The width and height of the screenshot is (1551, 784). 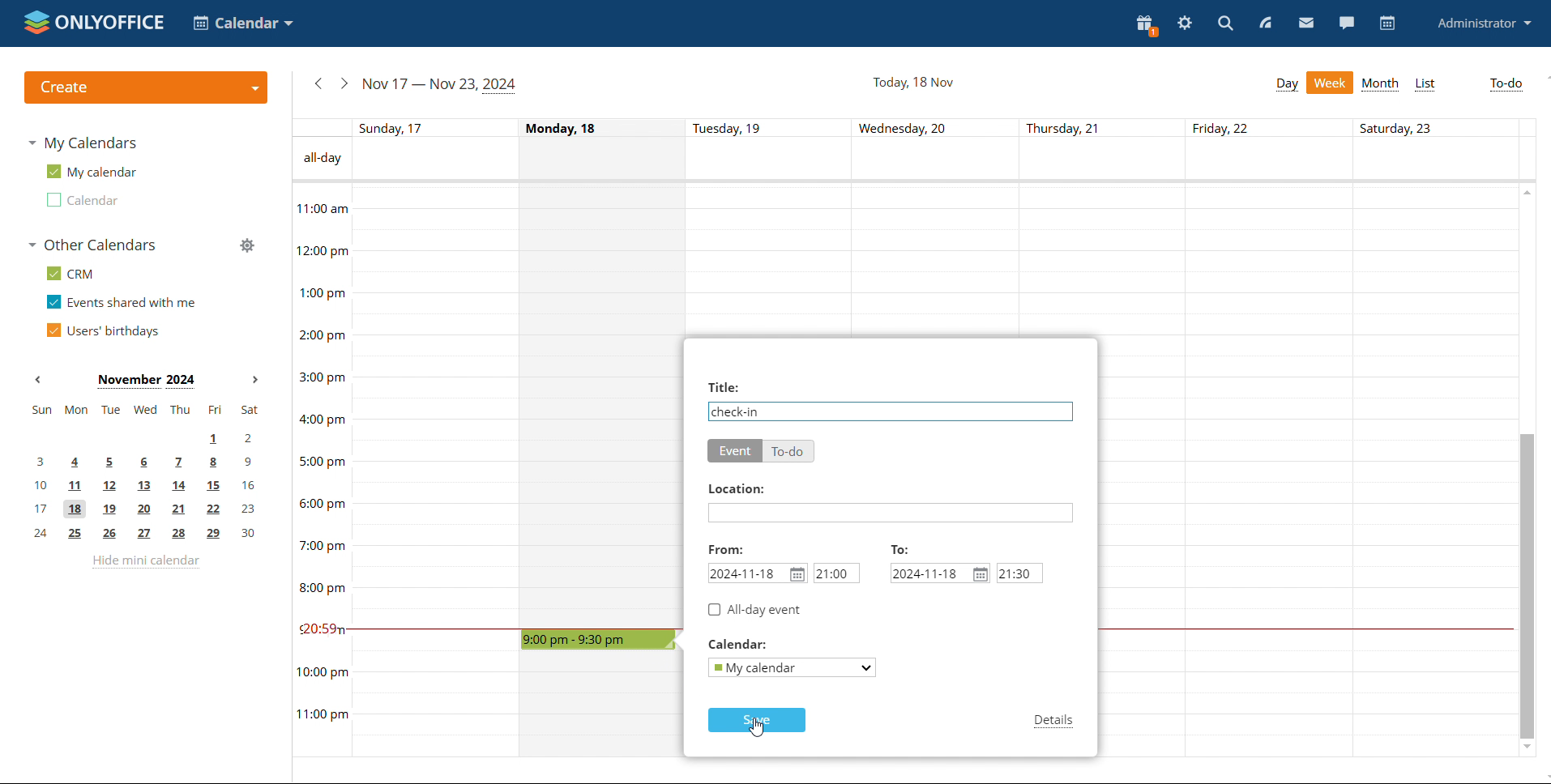 I want to click on my calendar, so click(x=91, y=172).